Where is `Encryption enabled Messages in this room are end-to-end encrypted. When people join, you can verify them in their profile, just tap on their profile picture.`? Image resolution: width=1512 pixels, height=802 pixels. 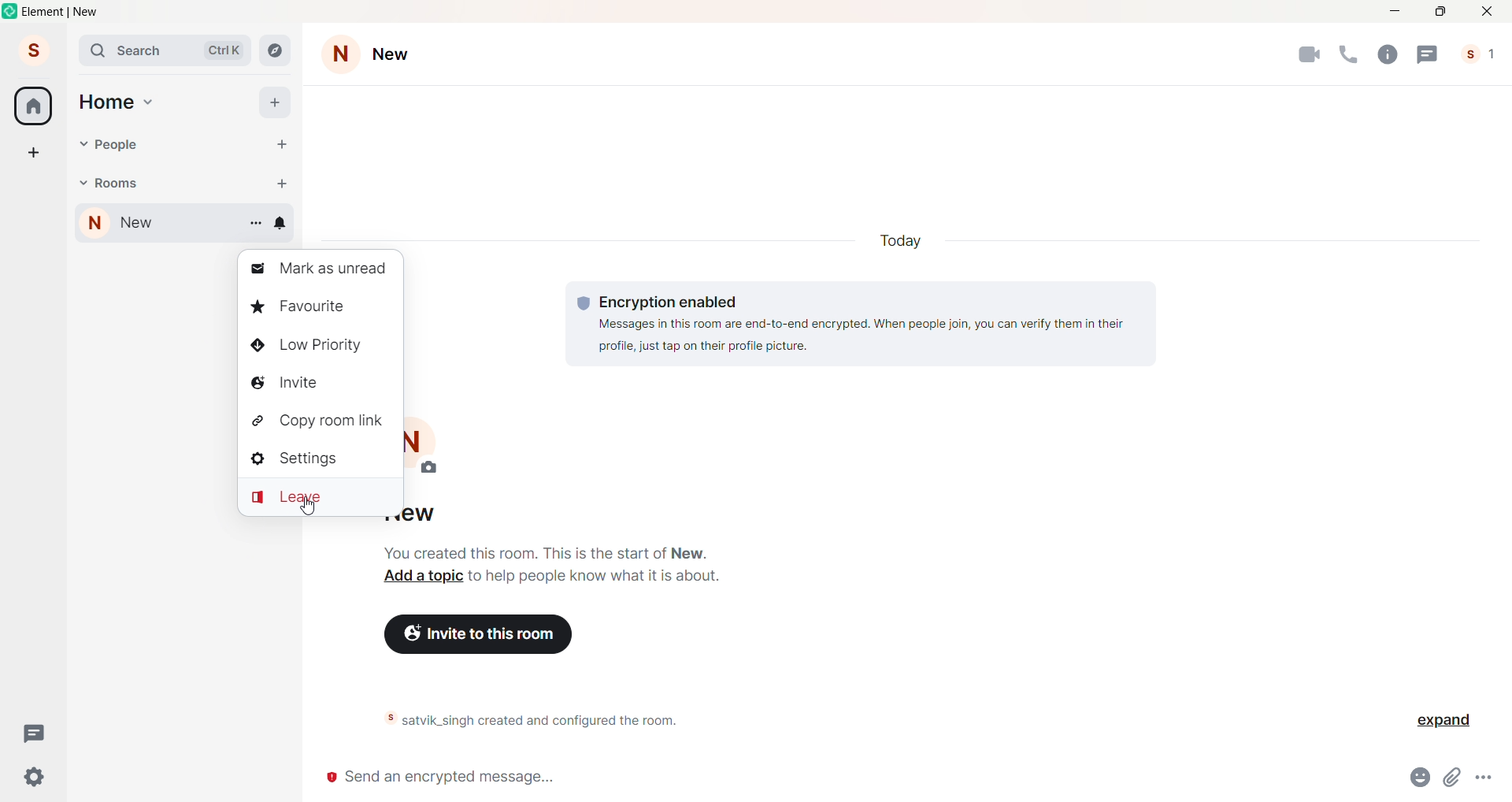
Encryption enabled Messages in this room are end-to-end encrypted. When people join, you can verify them in their profile, just tap on their profile picture. is located at coordinates (855, 321).